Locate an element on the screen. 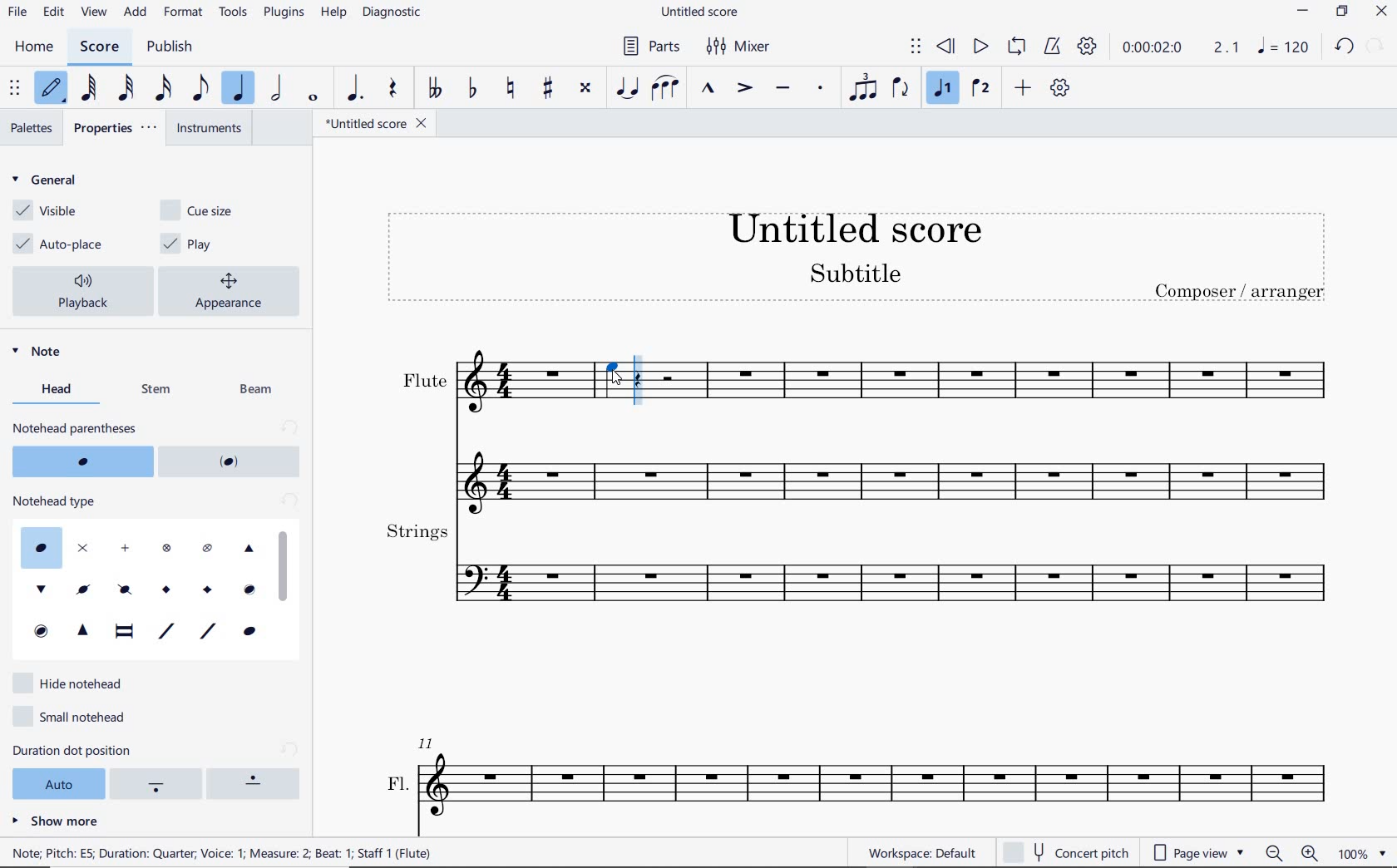 The image size is (1397, 868). REWIND is located at coordinates (946, 47).